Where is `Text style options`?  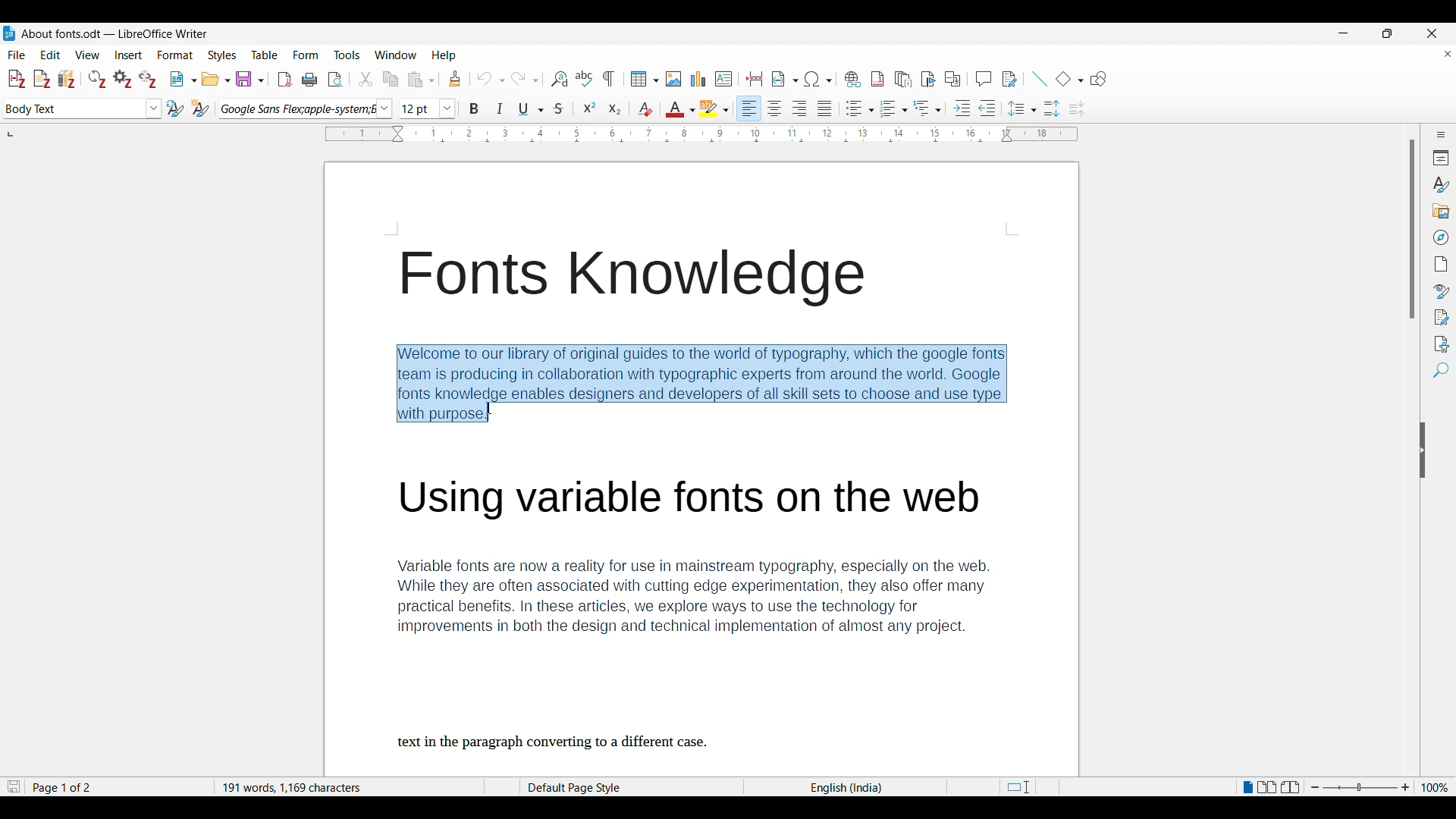 Text style options is located at coordinates (83, 108).